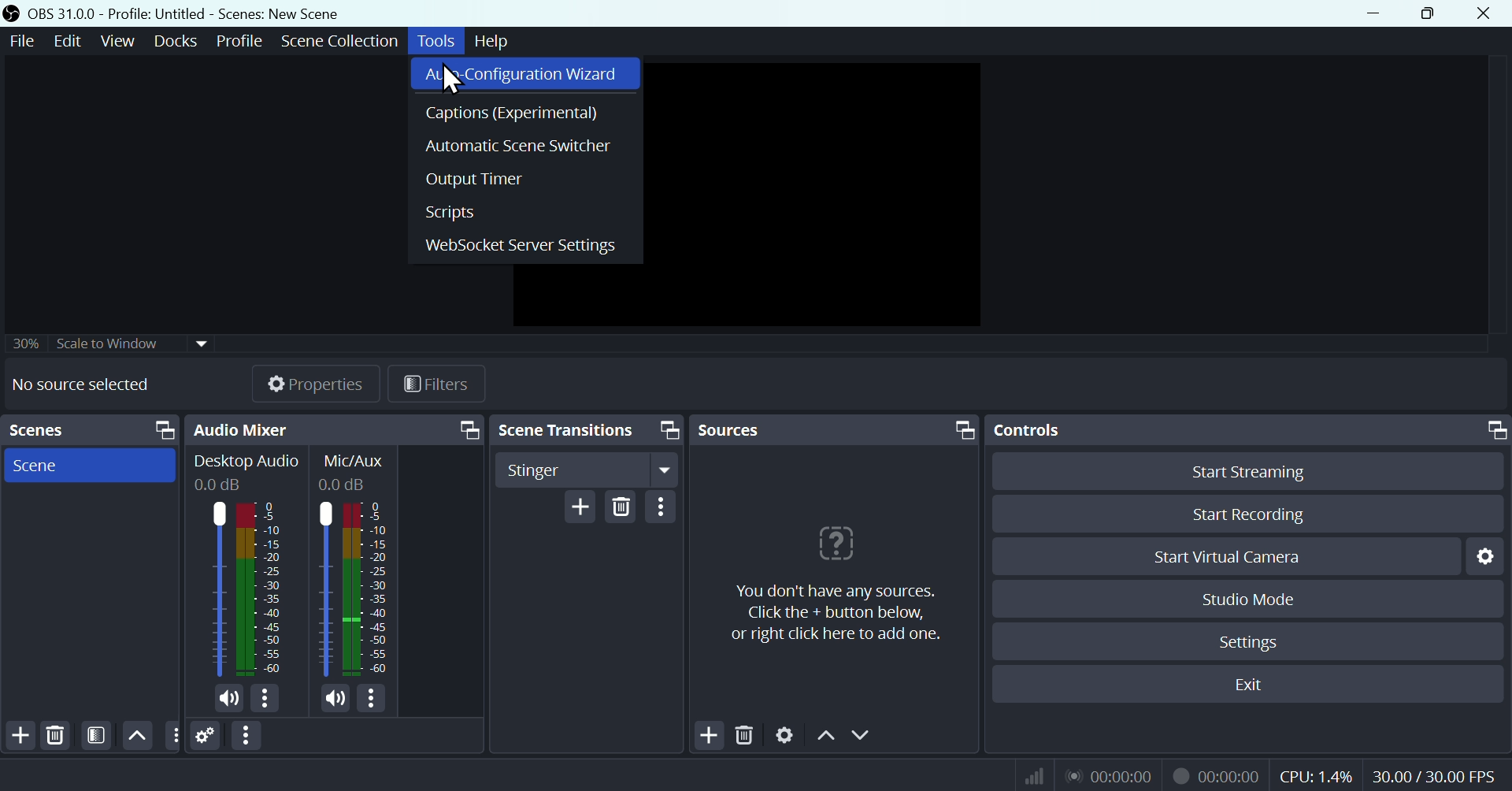 The height and width of the screenshot is (791, 1512). Describe the element at coordinates (36, 429) in the screenshot. I see `Scenes` at that location.